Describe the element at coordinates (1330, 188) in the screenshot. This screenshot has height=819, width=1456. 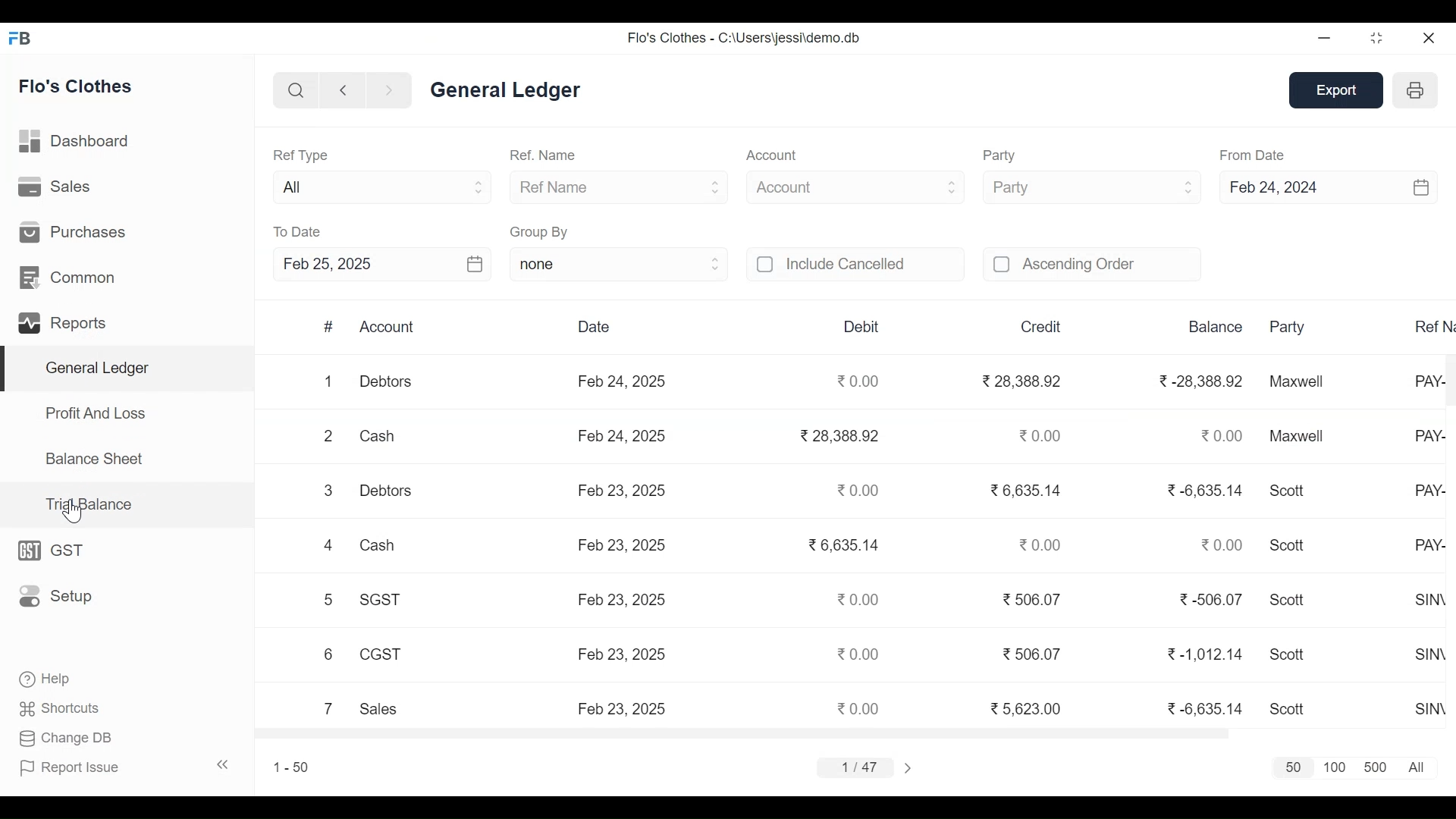
I see `Feb 24, 2024` at that location.